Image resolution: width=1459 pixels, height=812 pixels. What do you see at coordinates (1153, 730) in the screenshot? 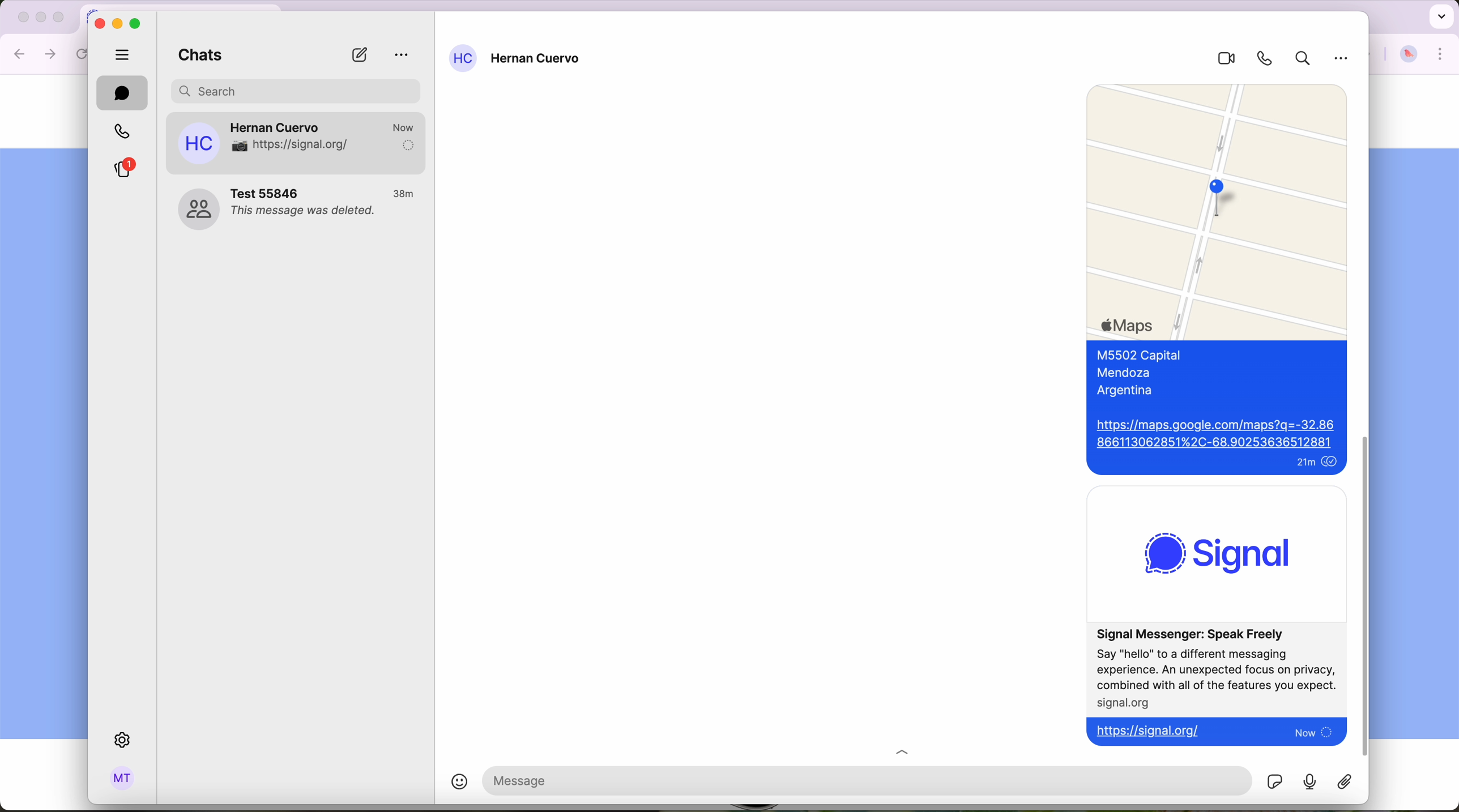
I see `ll https://signal.org/` at bounding box center [1153, 730].